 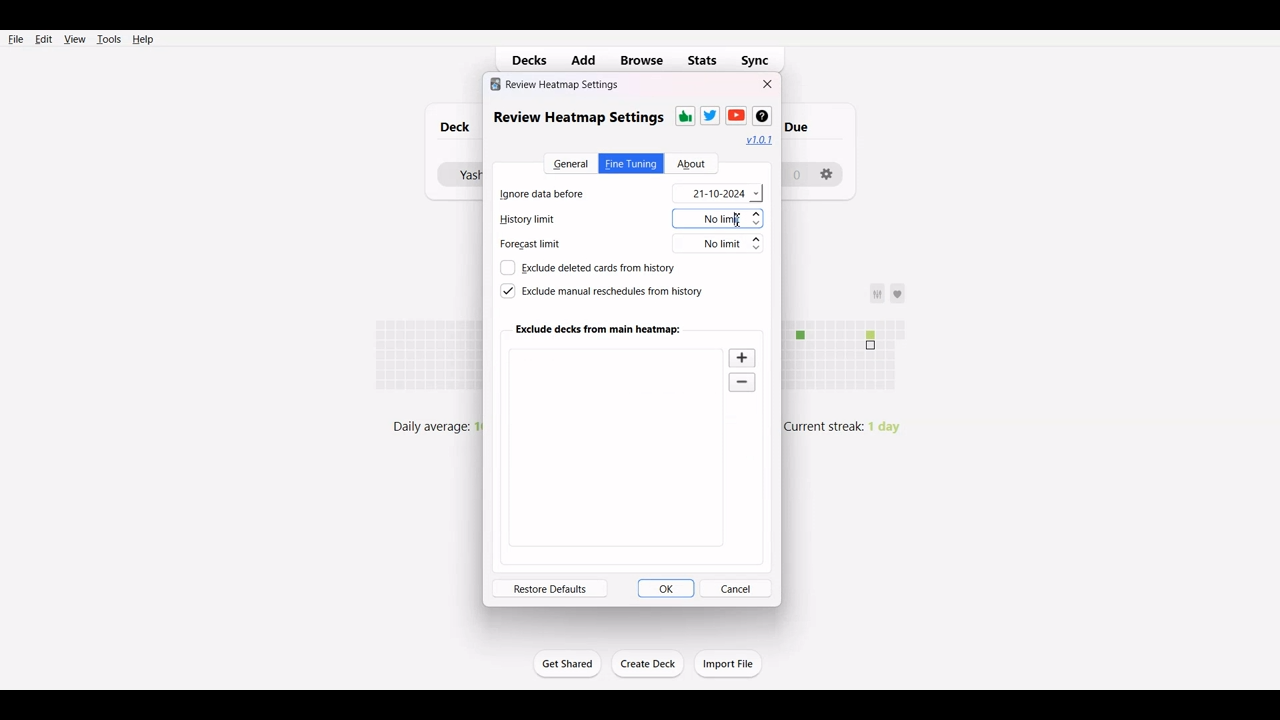 I want to click on Deck, so click(x=450, y=127).